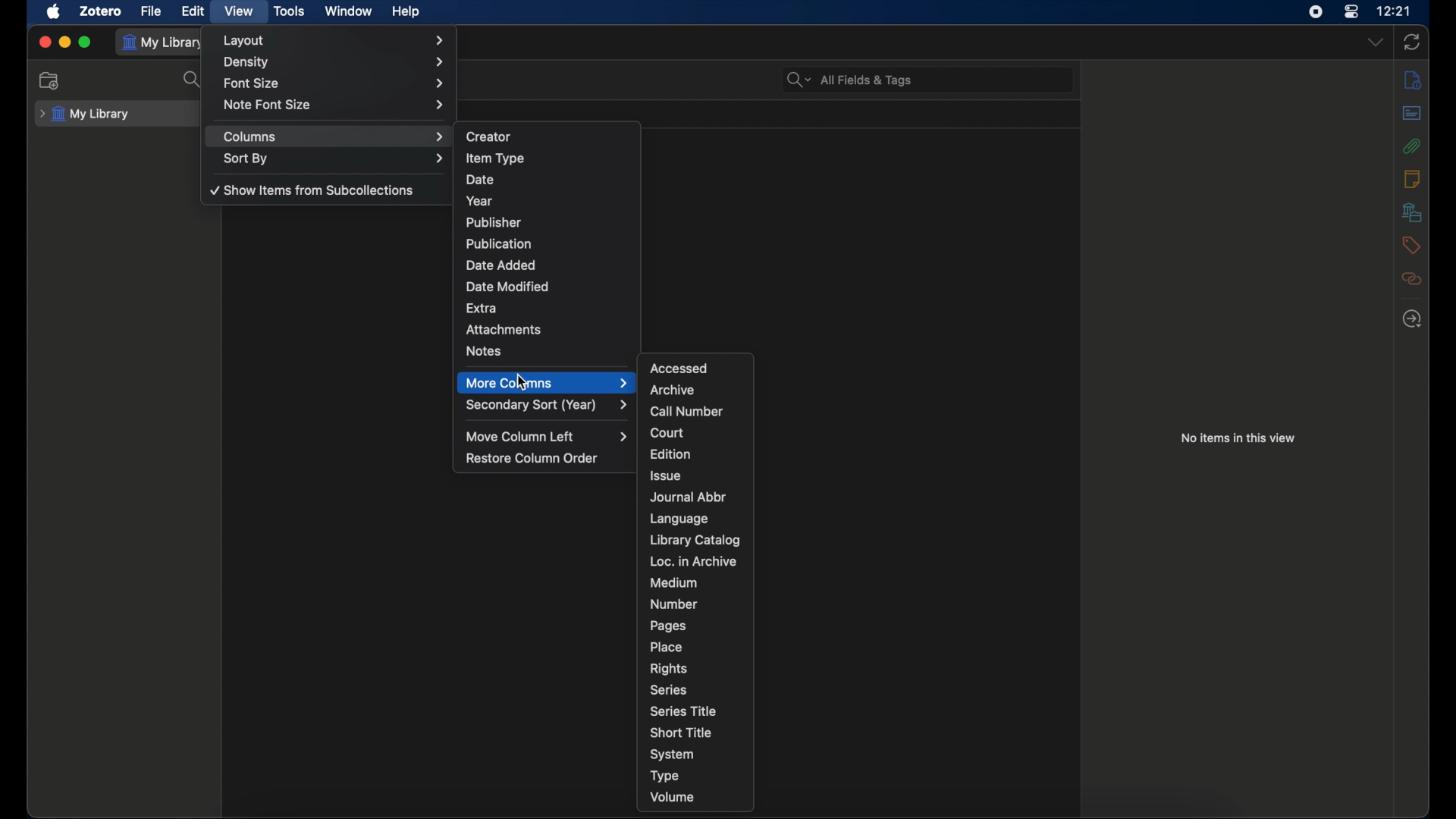 The width and height of the screenshot is (1456, 819). What do you see at coordinates (1410, 42) in the screenshot?
I see `sync` at bounding box center [1410, 42].